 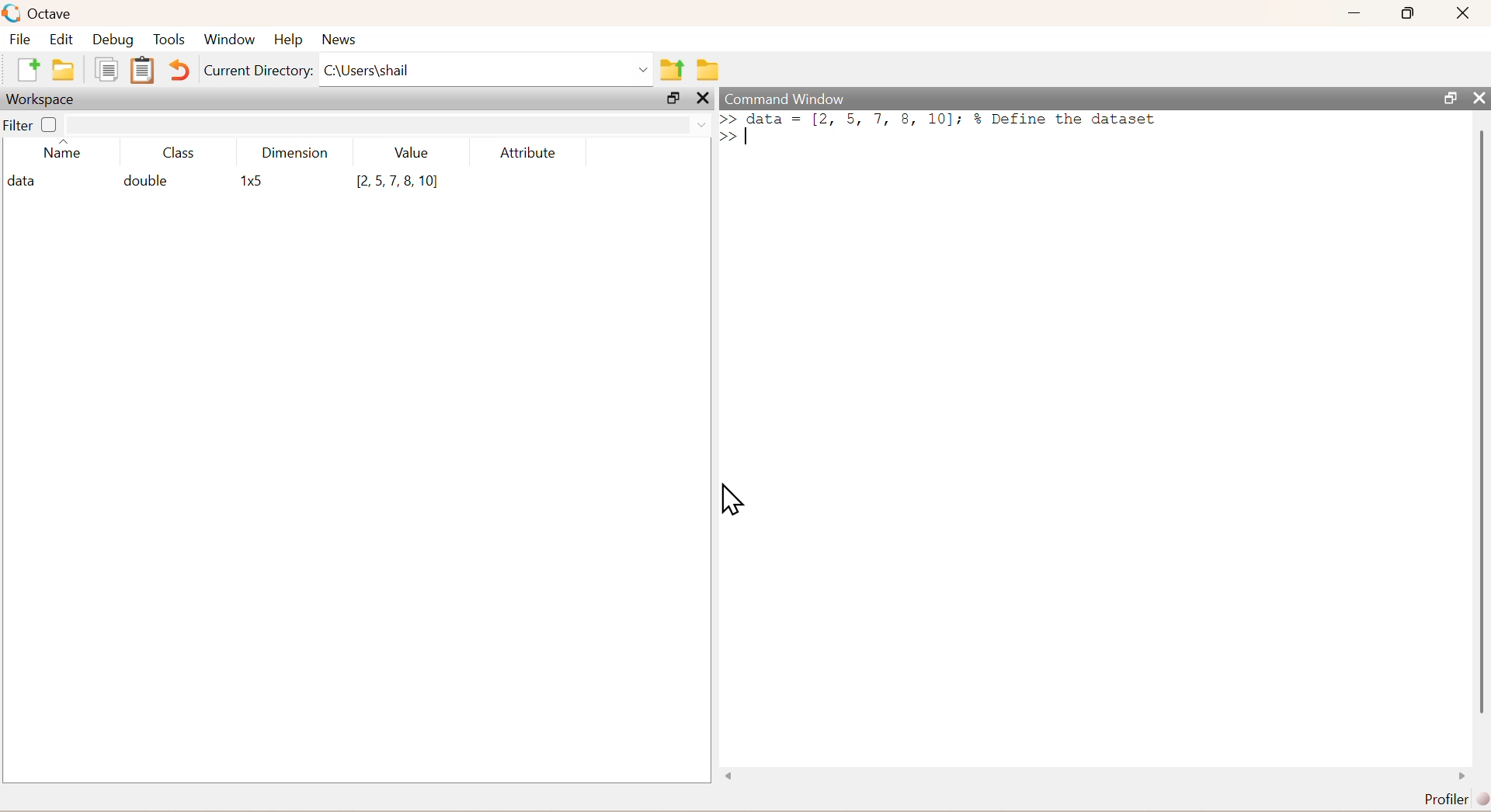 I want to click on logo, so click(x=13, y=13).